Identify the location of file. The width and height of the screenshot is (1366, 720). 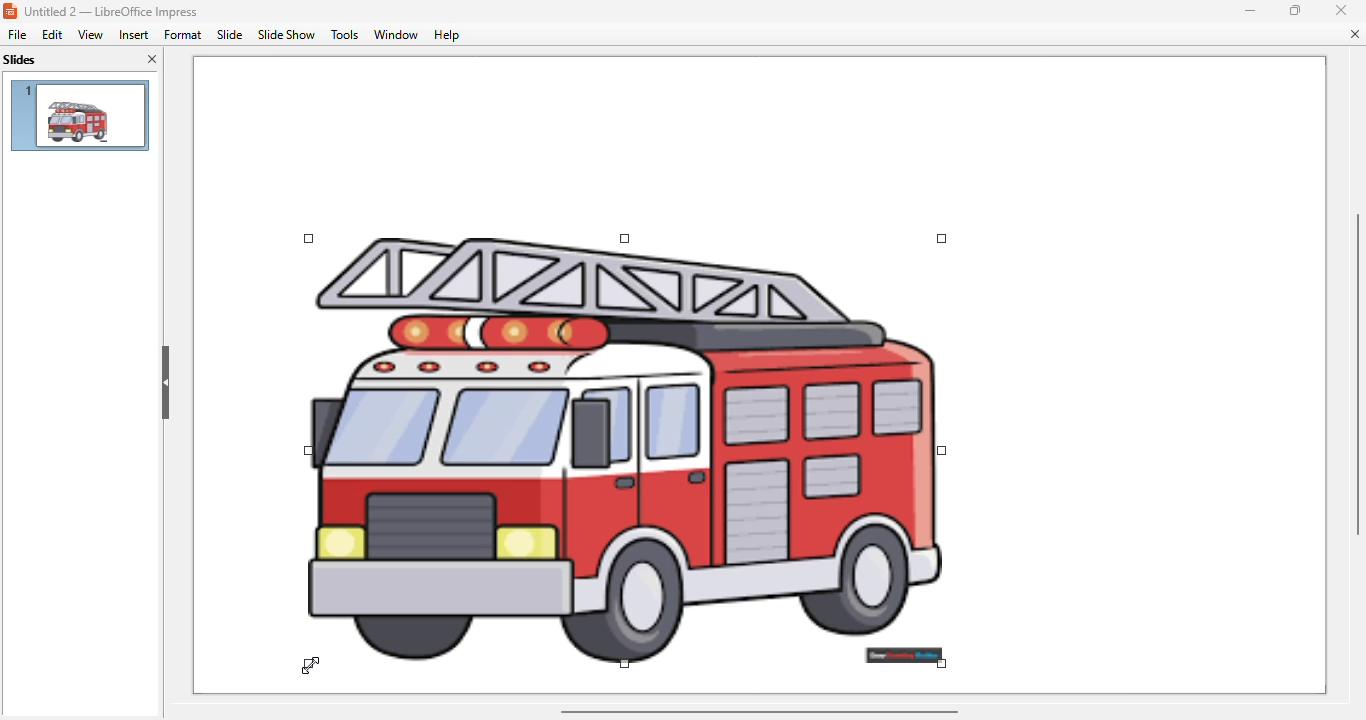
(17, 35).